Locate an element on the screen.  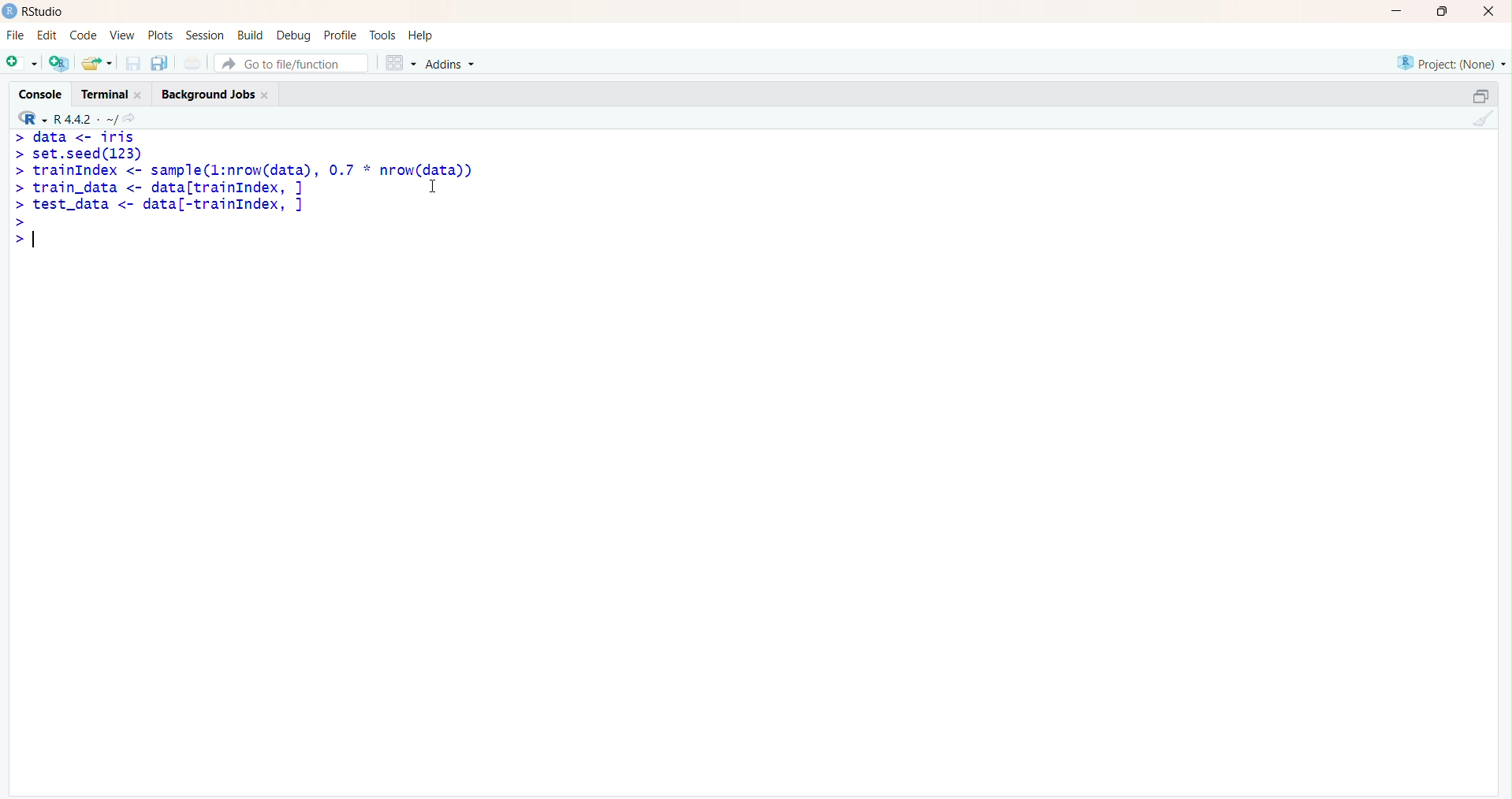
R.4.4.2. ~/ is located at coordinates (87, 117).